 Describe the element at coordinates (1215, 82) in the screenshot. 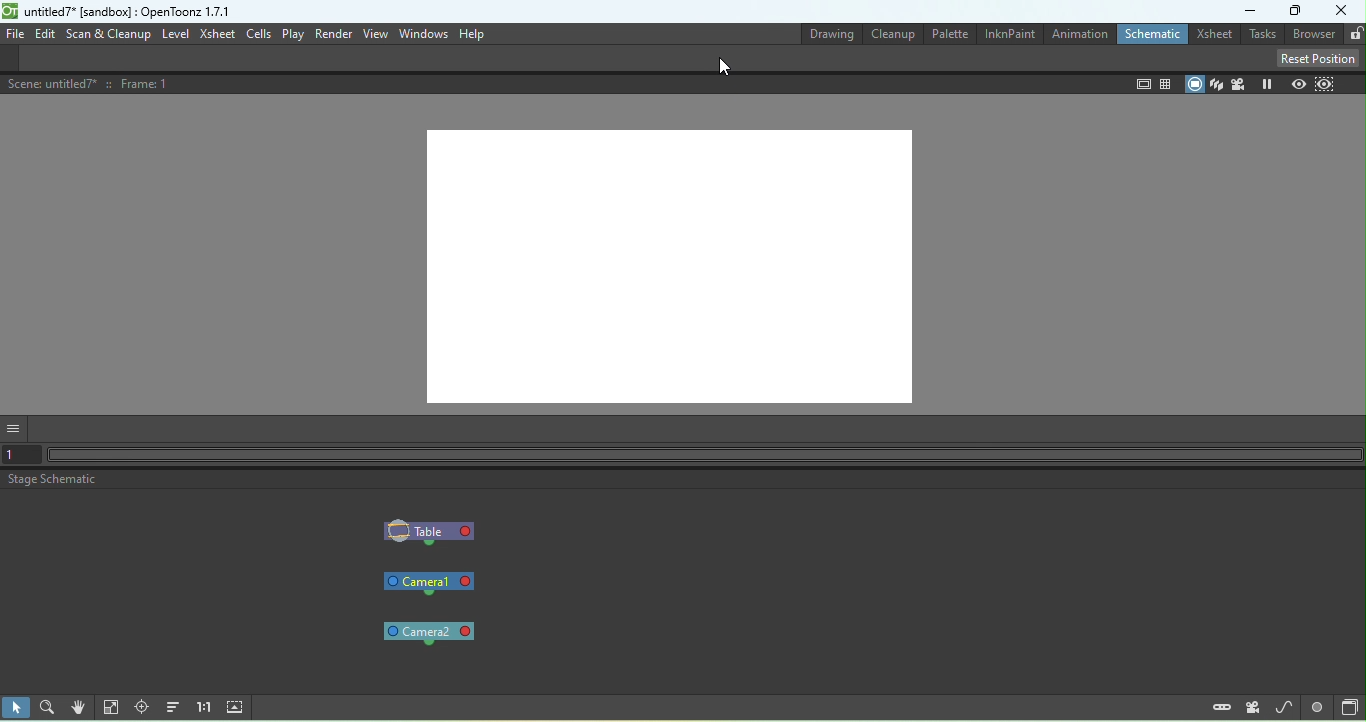

I see `3D view` at that location.